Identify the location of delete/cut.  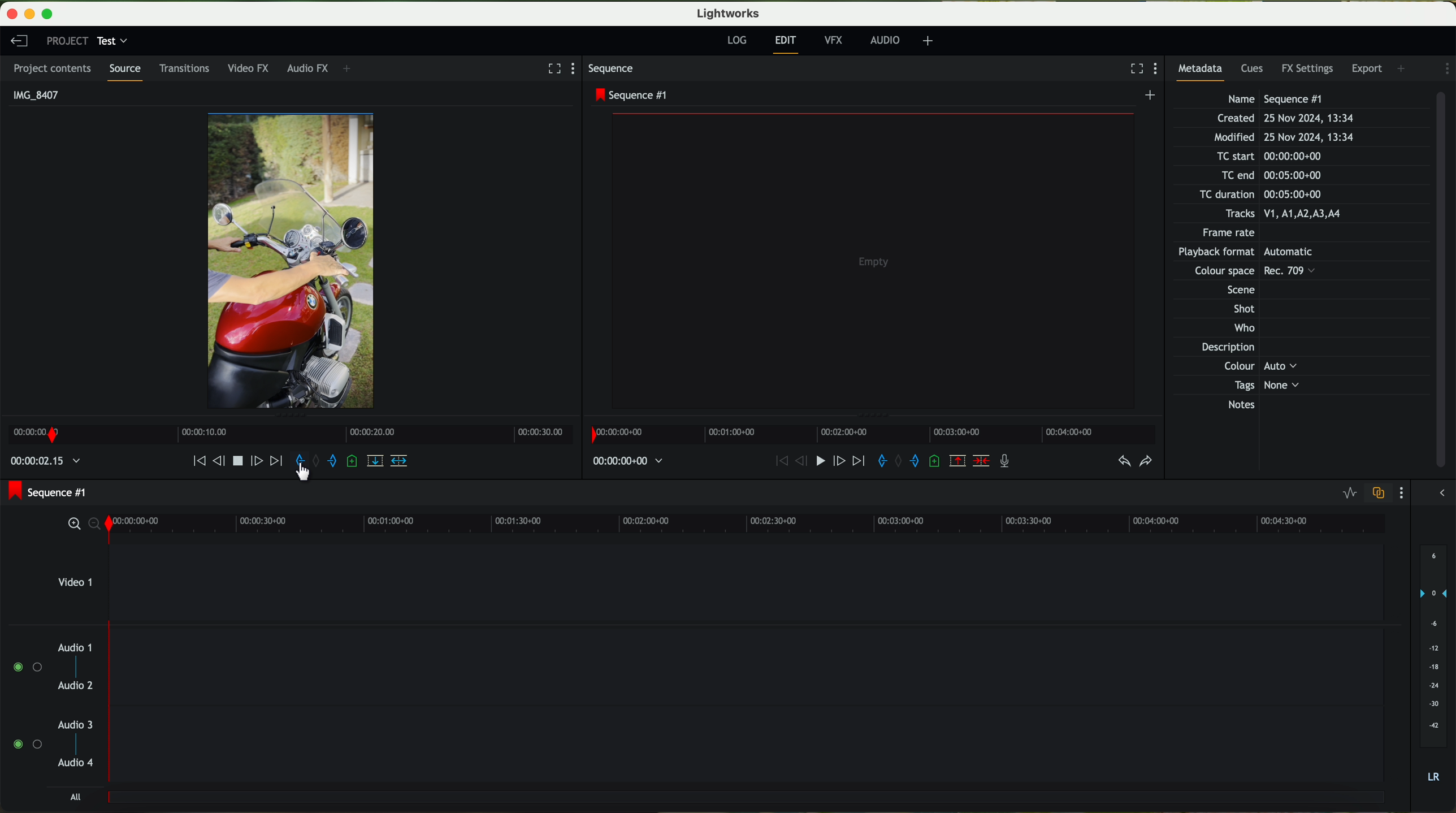
(981, 461).